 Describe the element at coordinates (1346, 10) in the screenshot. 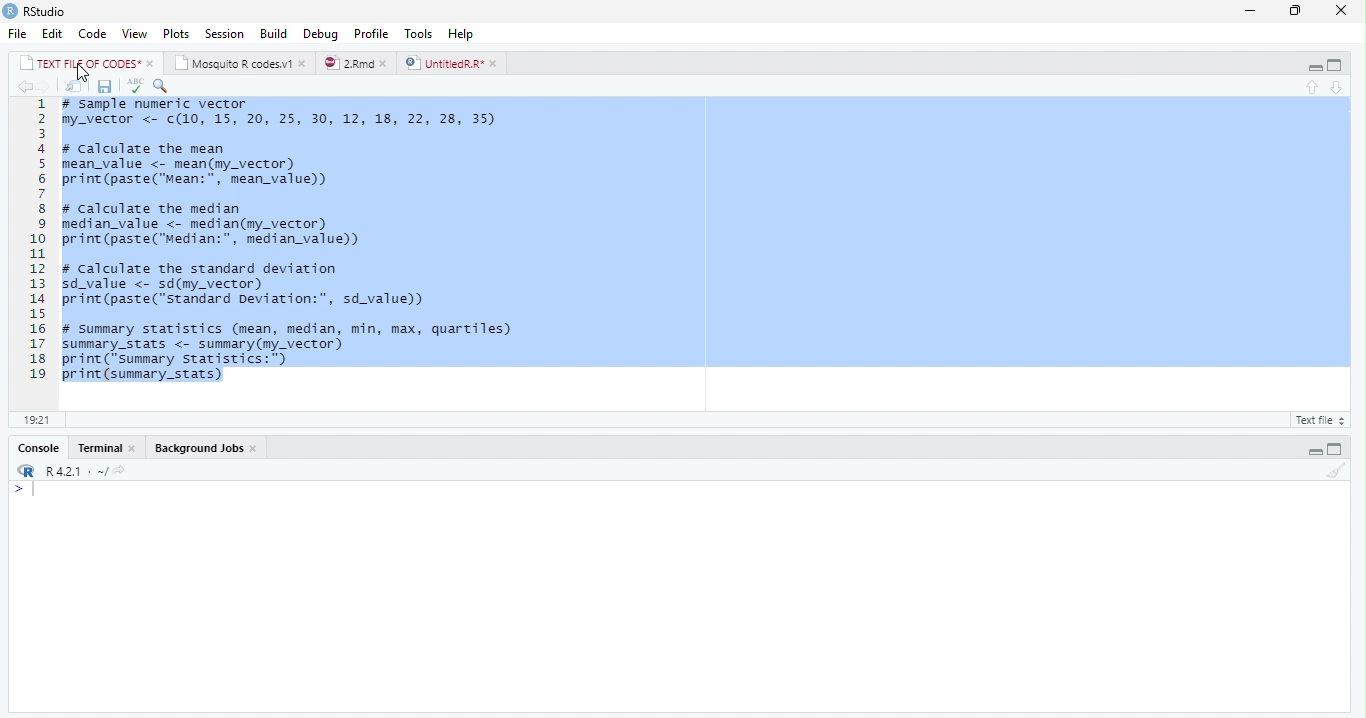

I see `close` at that location.